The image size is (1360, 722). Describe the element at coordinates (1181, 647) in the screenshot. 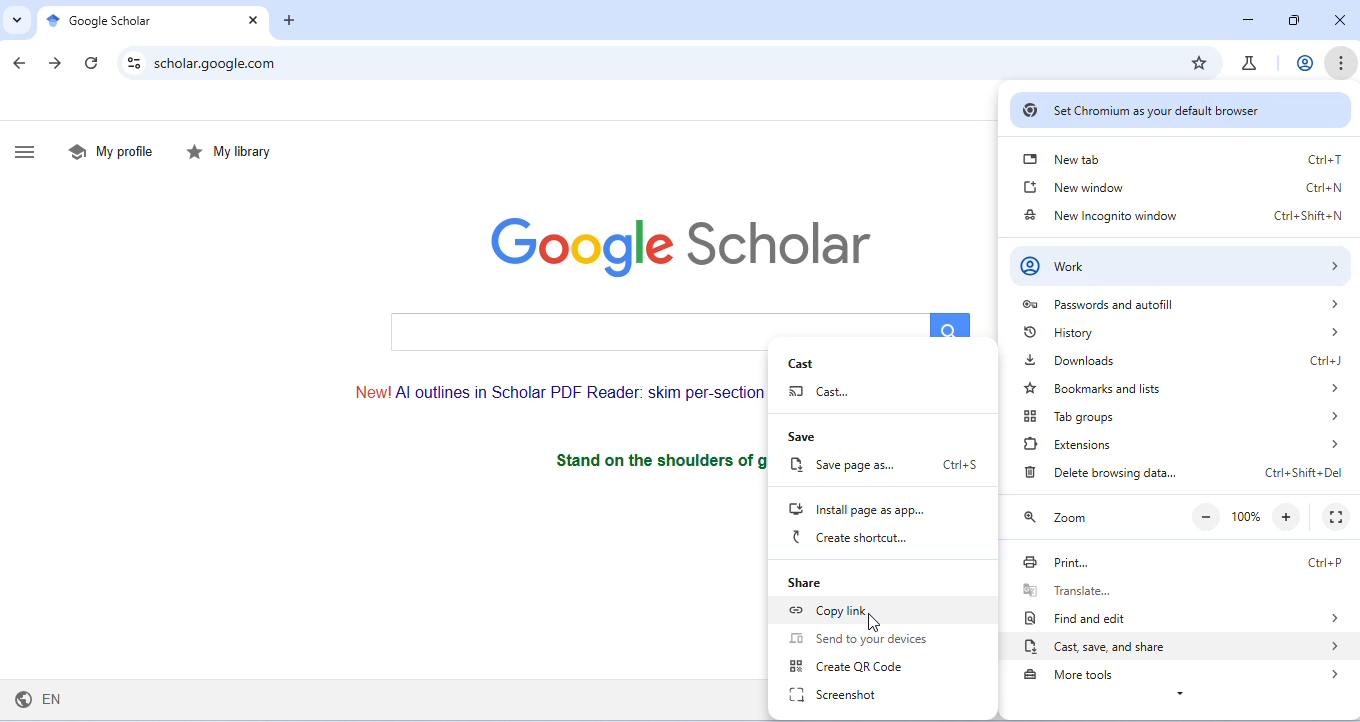

I see `cast, save and share` at that location.